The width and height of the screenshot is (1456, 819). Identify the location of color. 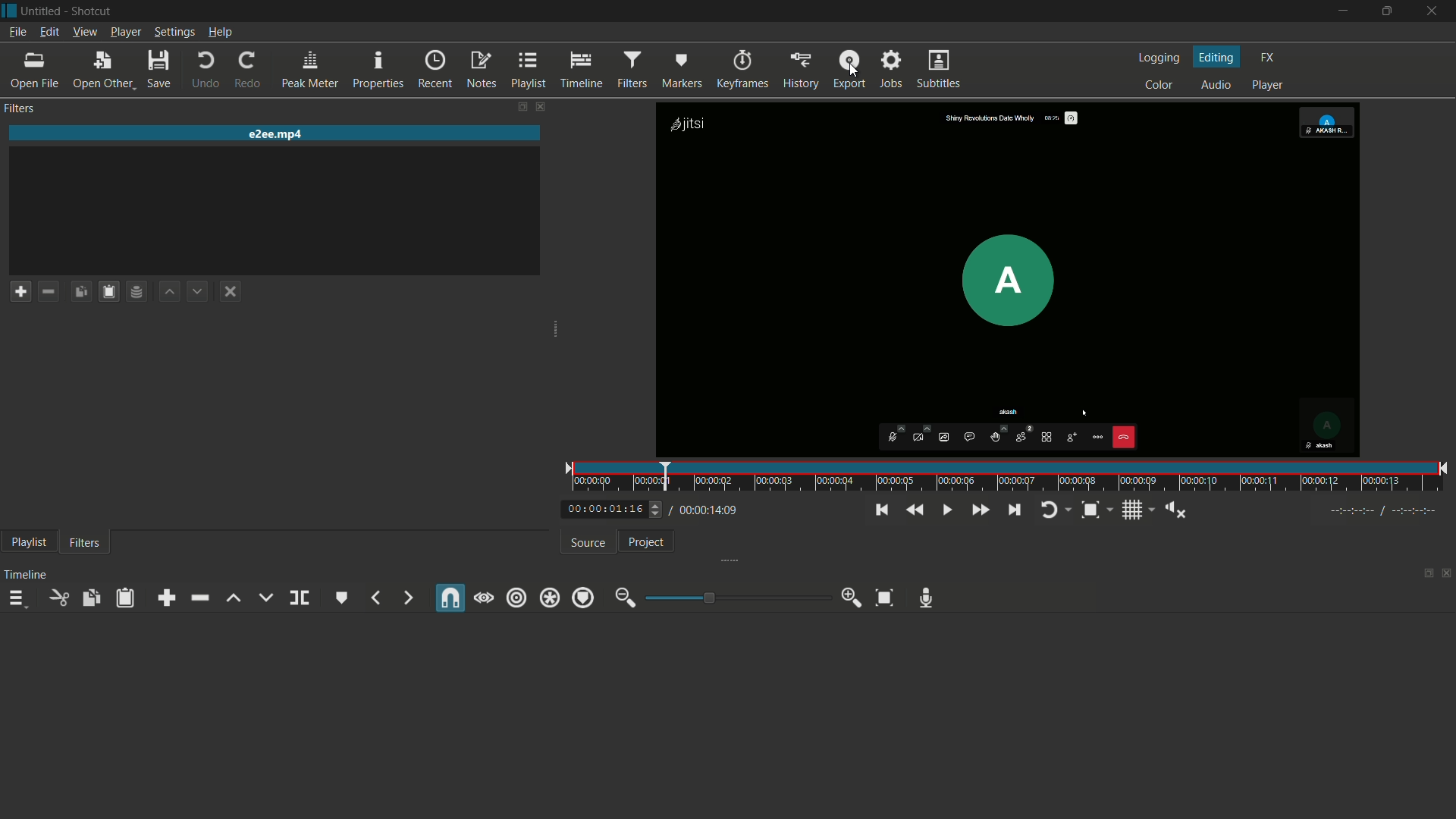
(1159, 86).